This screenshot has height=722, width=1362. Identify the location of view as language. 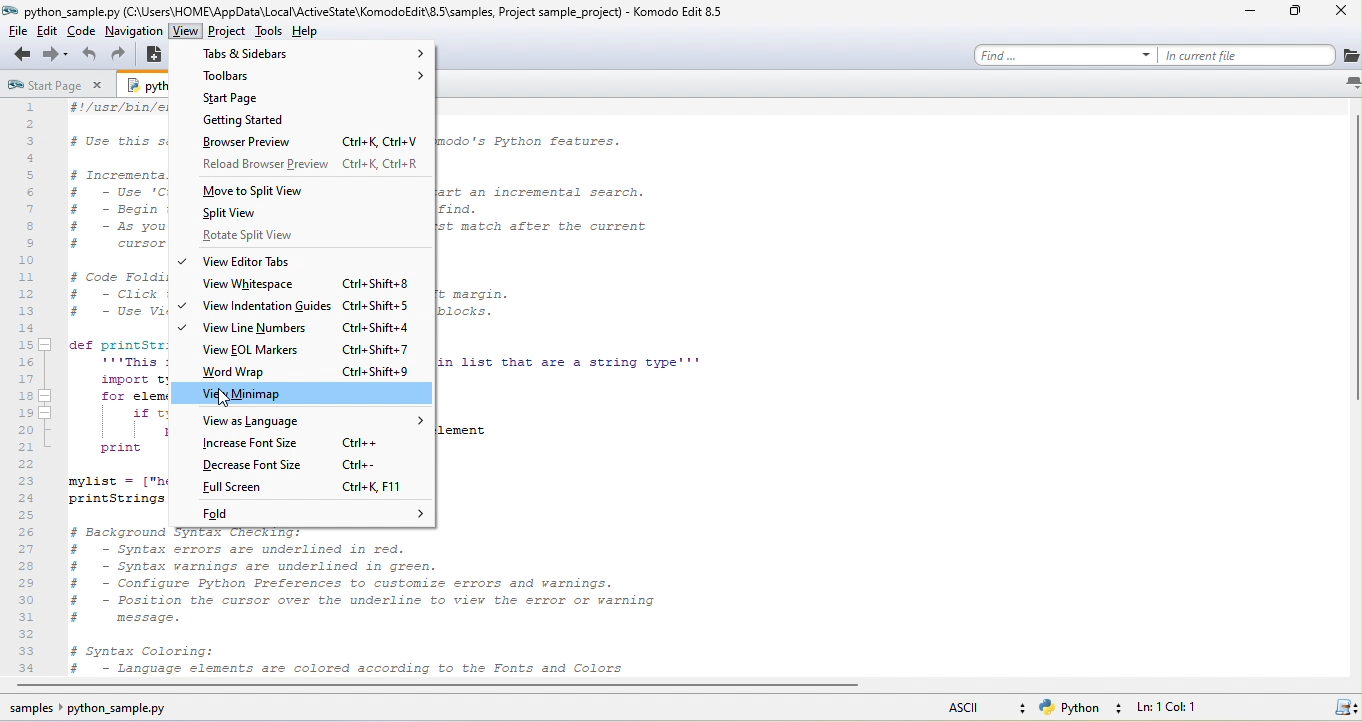
(314, 421).